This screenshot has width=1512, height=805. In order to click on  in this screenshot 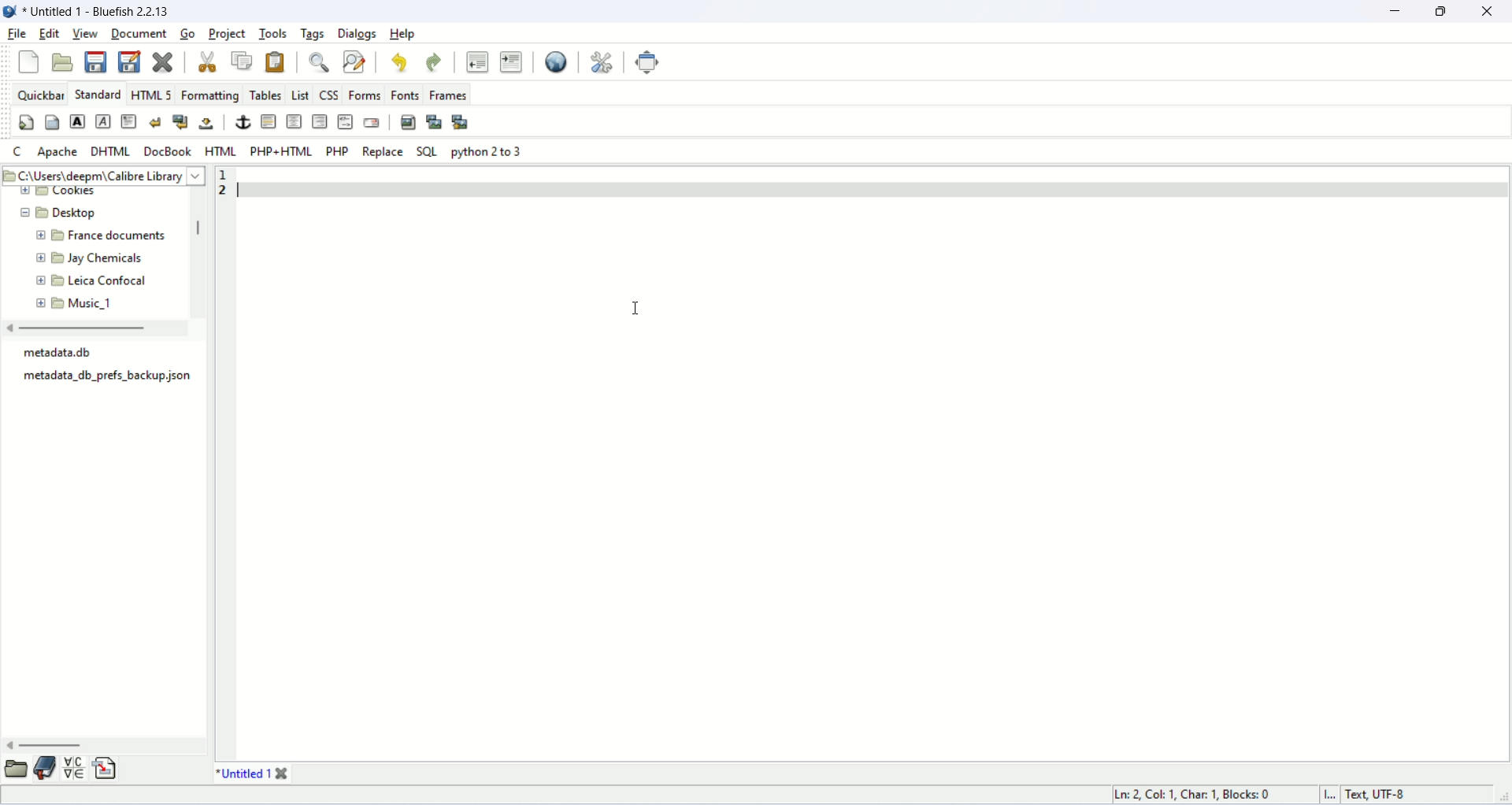, I will do `click(301, 95)`.